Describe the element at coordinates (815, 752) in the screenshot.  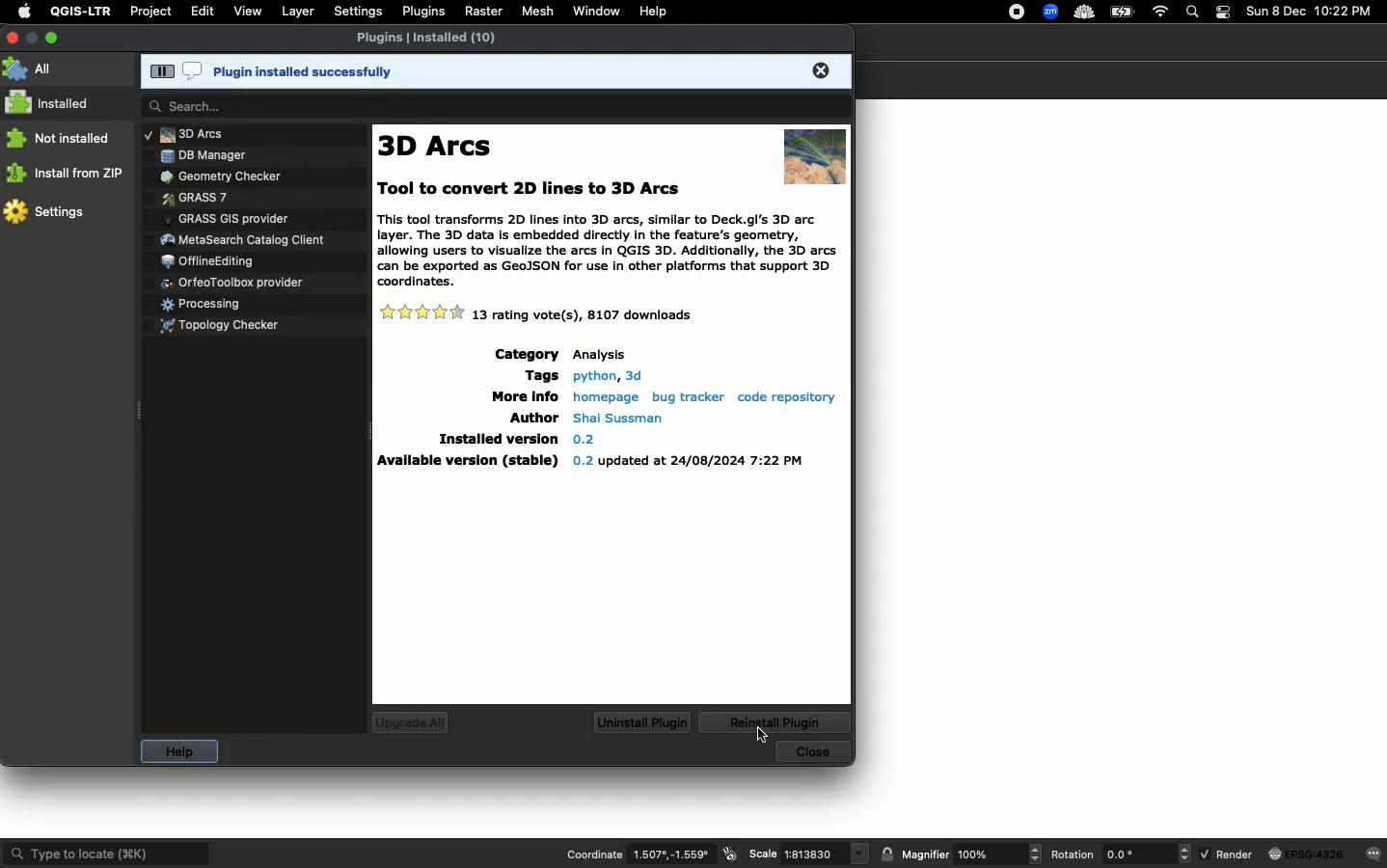
I see `Close` at that location.